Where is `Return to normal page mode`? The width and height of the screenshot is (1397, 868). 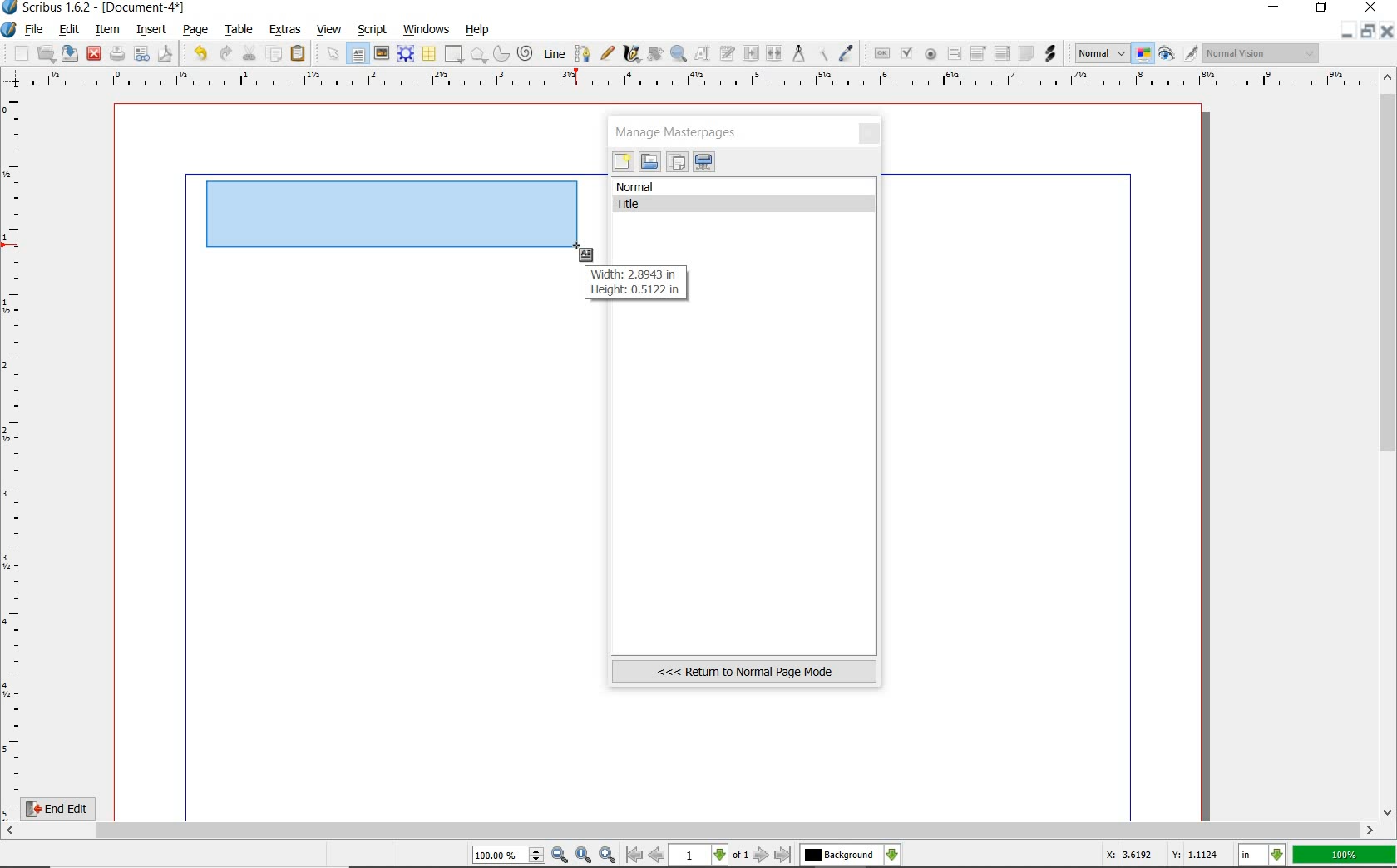 Return to normal page mode is located at coordinates (744, 671).